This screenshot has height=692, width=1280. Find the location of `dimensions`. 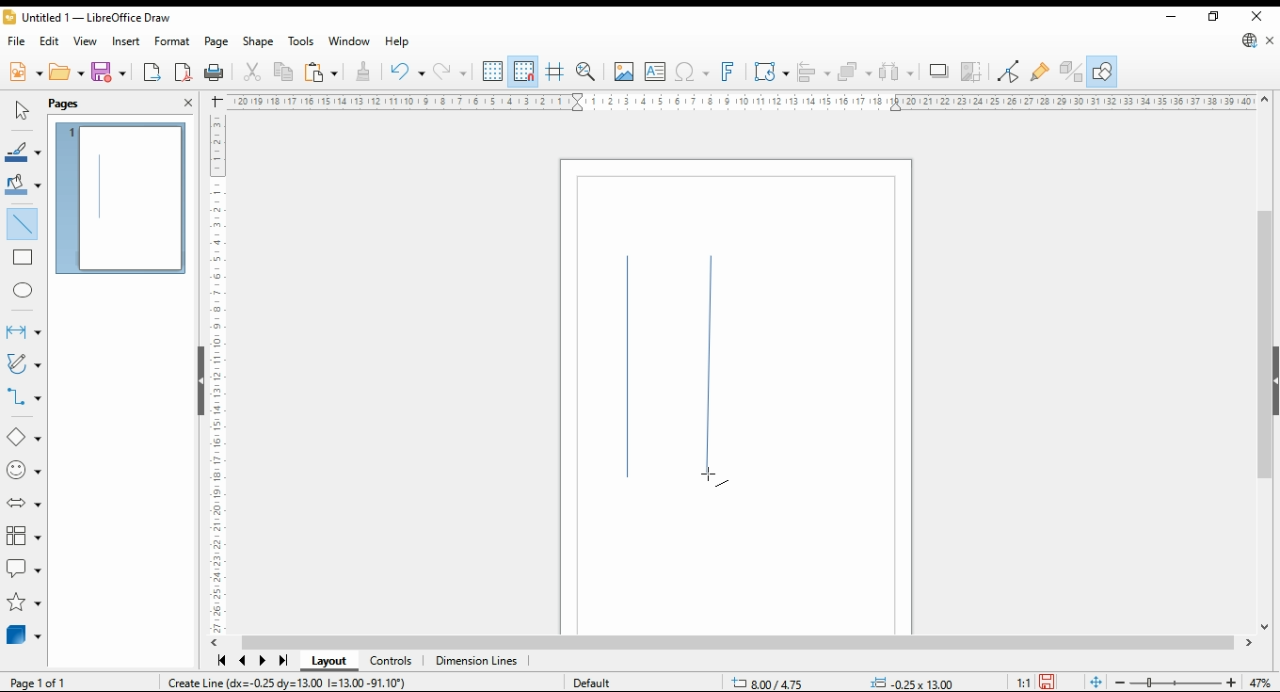

dimensions is located at coordinates (477, 661).